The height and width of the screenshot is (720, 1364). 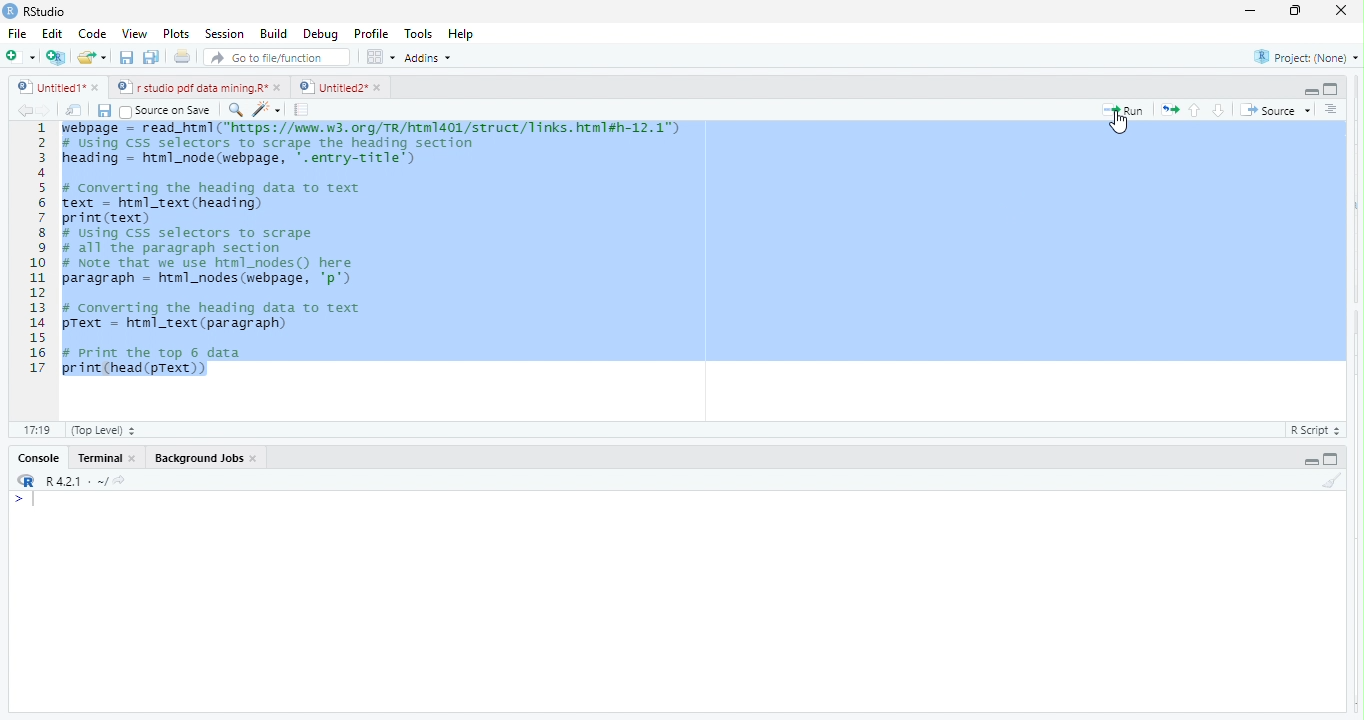 What do you see at coordinates (20, 56) in the screenshot?
I see `new file` at bounding box center [20, 56].